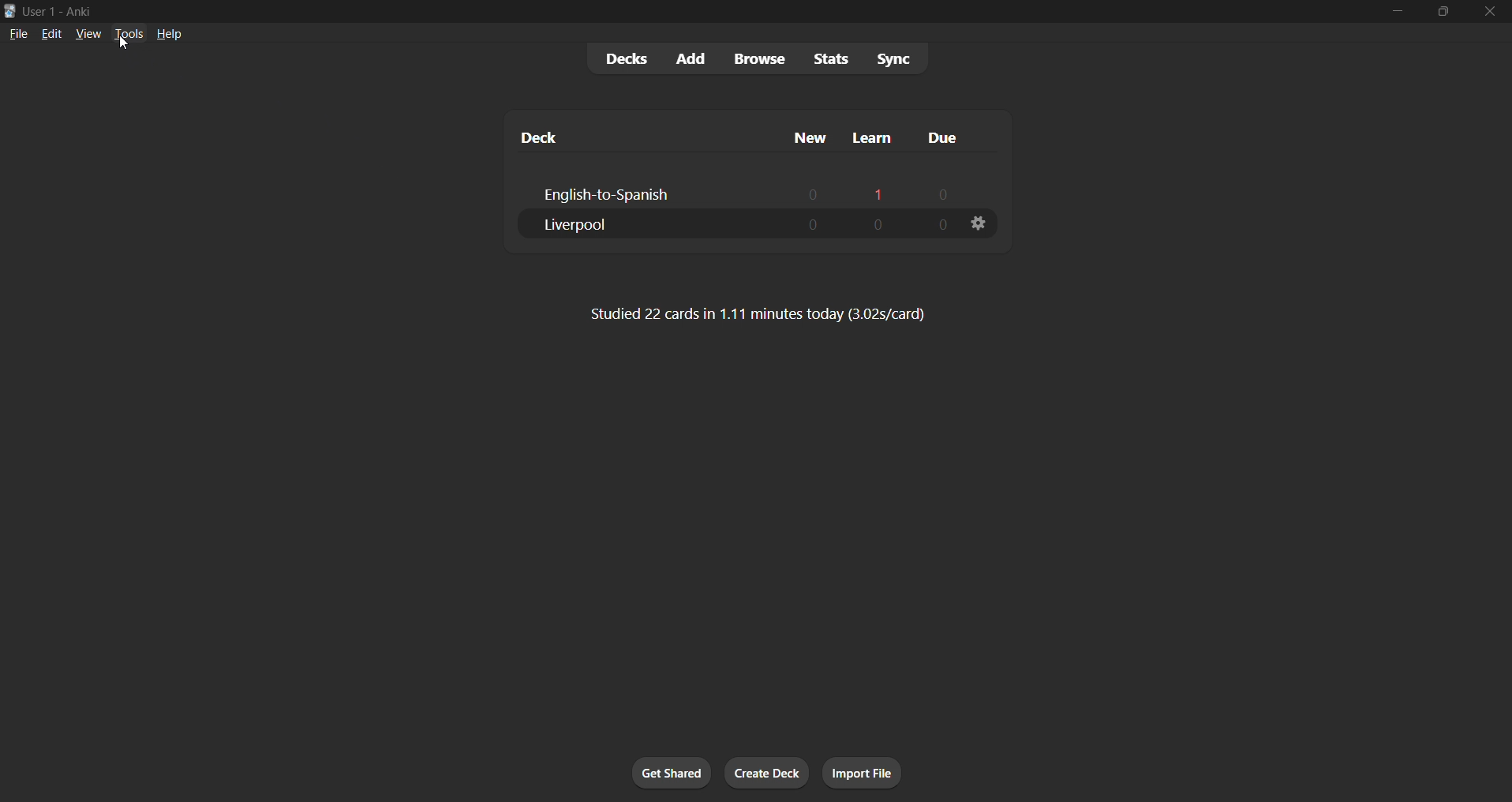  Describe the element at coordinates (169, 36) in the screenshot. I see `help` at that location.